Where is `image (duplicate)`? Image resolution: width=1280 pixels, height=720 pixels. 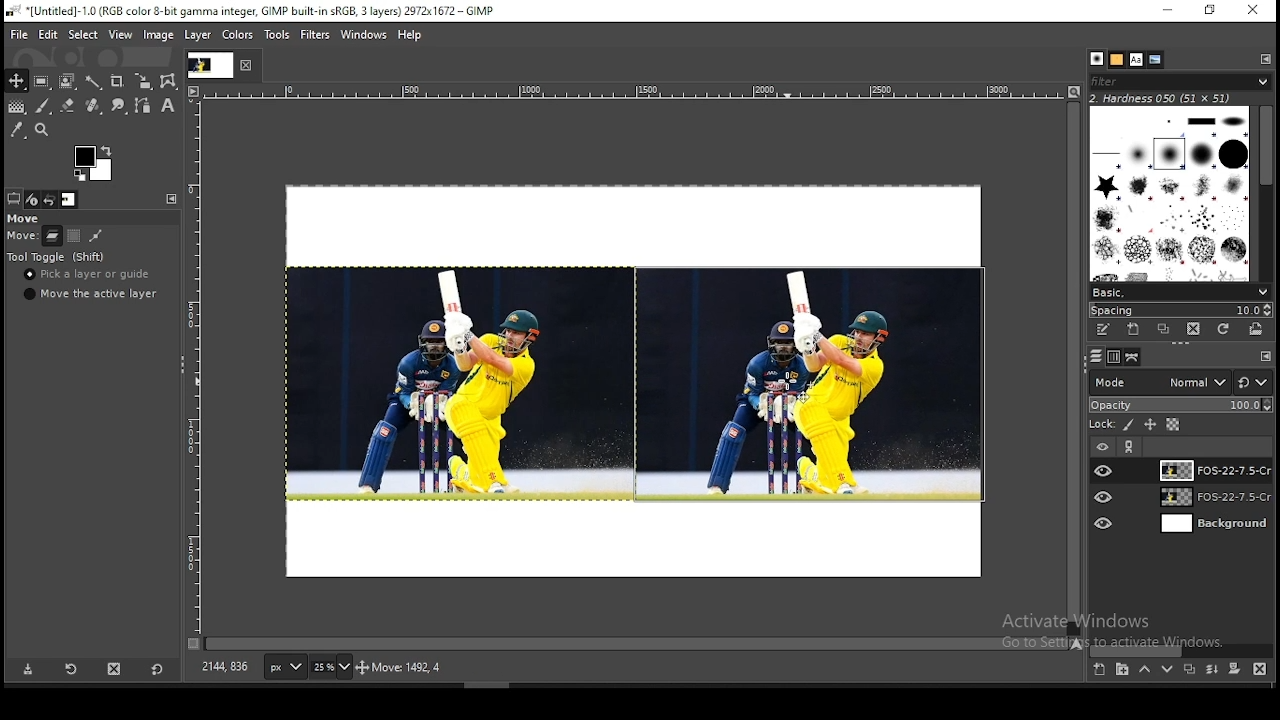 image (duplicate) is located at coordinates (809, 384).